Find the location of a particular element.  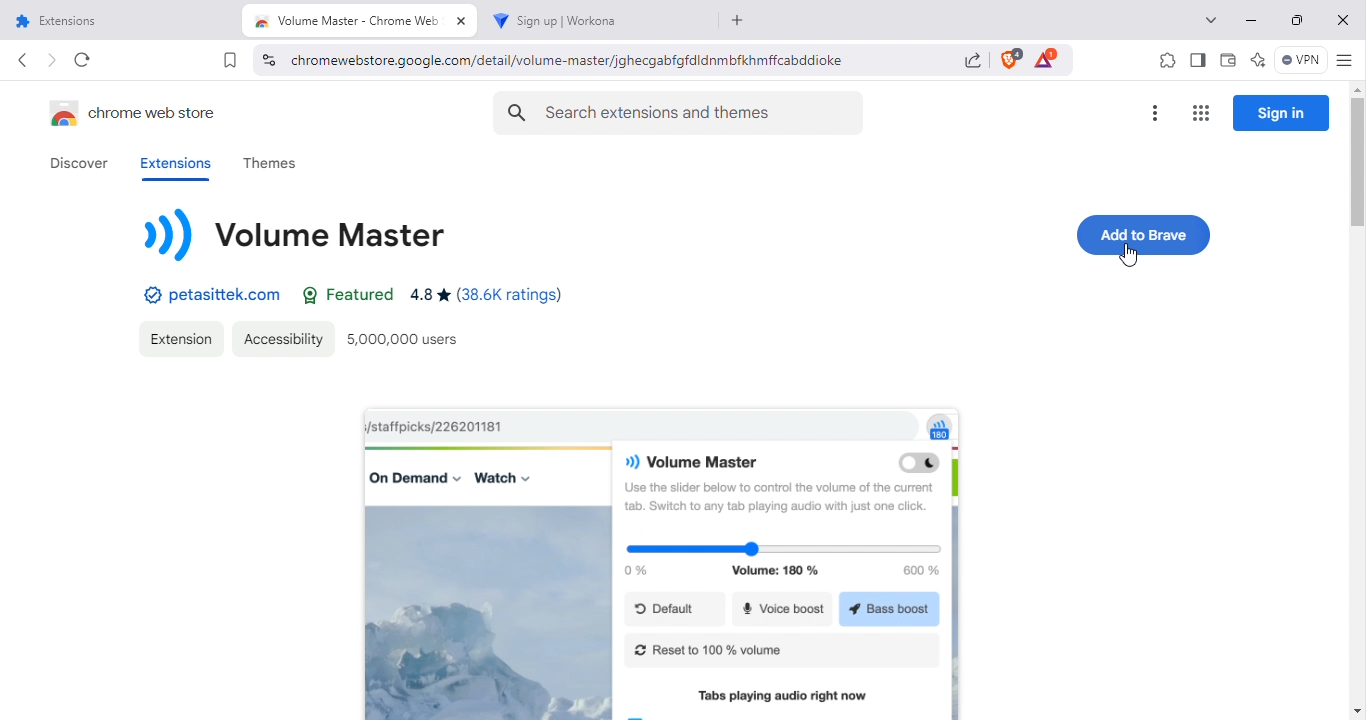

Extensions is located at coordinates (171, 164).